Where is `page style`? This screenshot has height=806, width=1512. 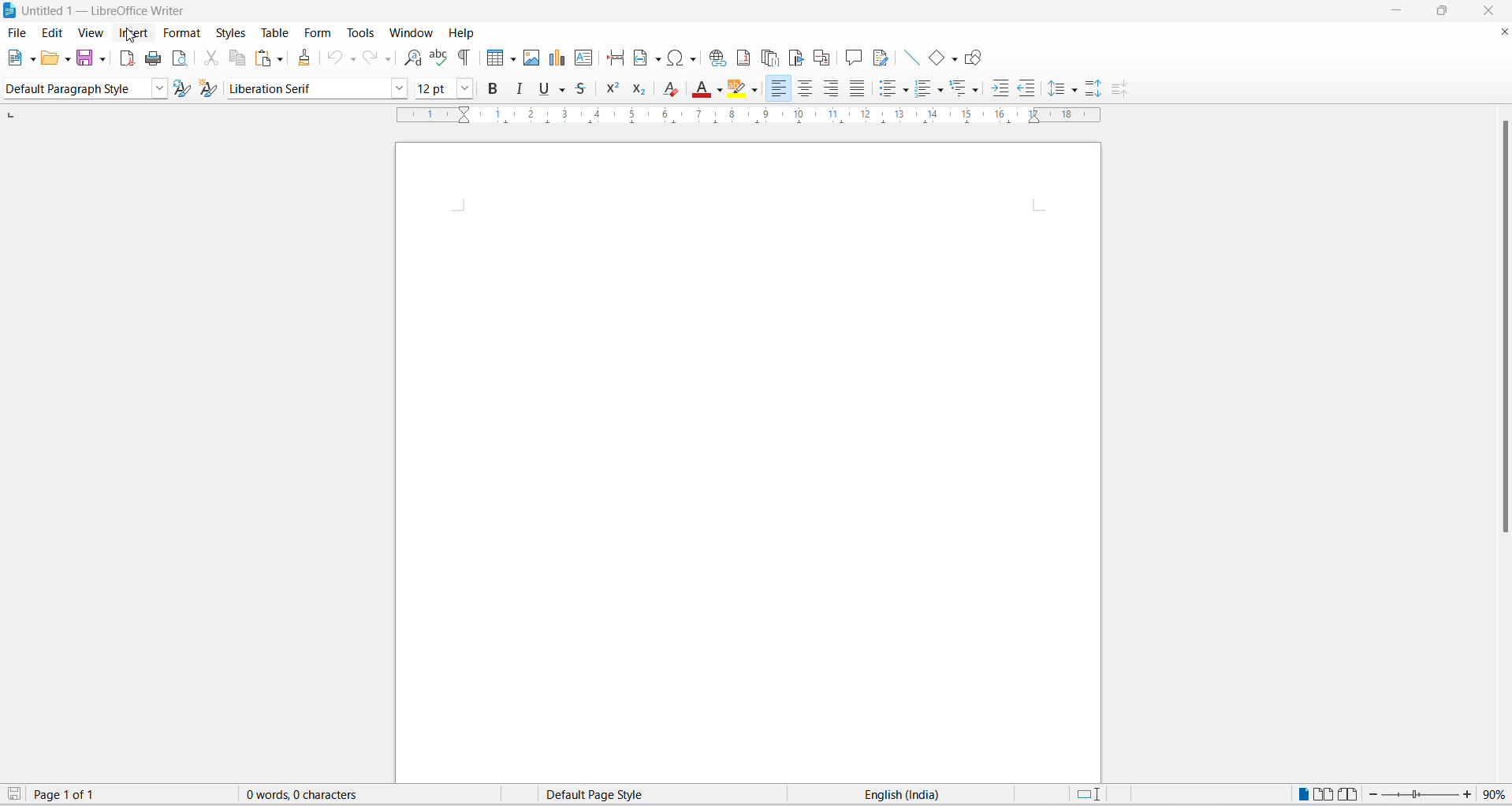 page style is located at coordinates (605, 794).